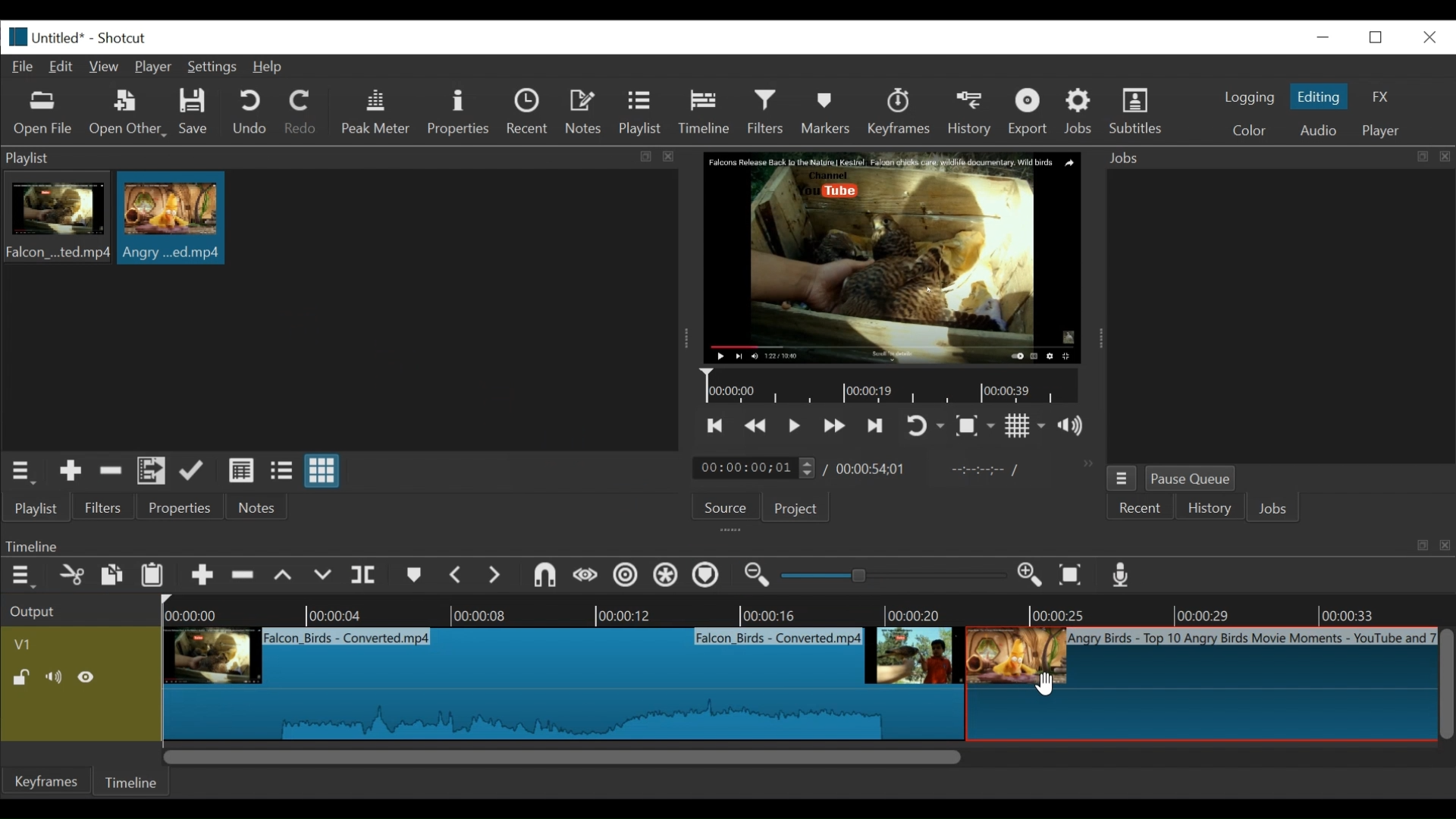 Image resolution: width=1456 pixels, height=819 pixels. Describe the element at coordinates (755, 577) in the screenshot. I see `Zoom timeline in` at that location.